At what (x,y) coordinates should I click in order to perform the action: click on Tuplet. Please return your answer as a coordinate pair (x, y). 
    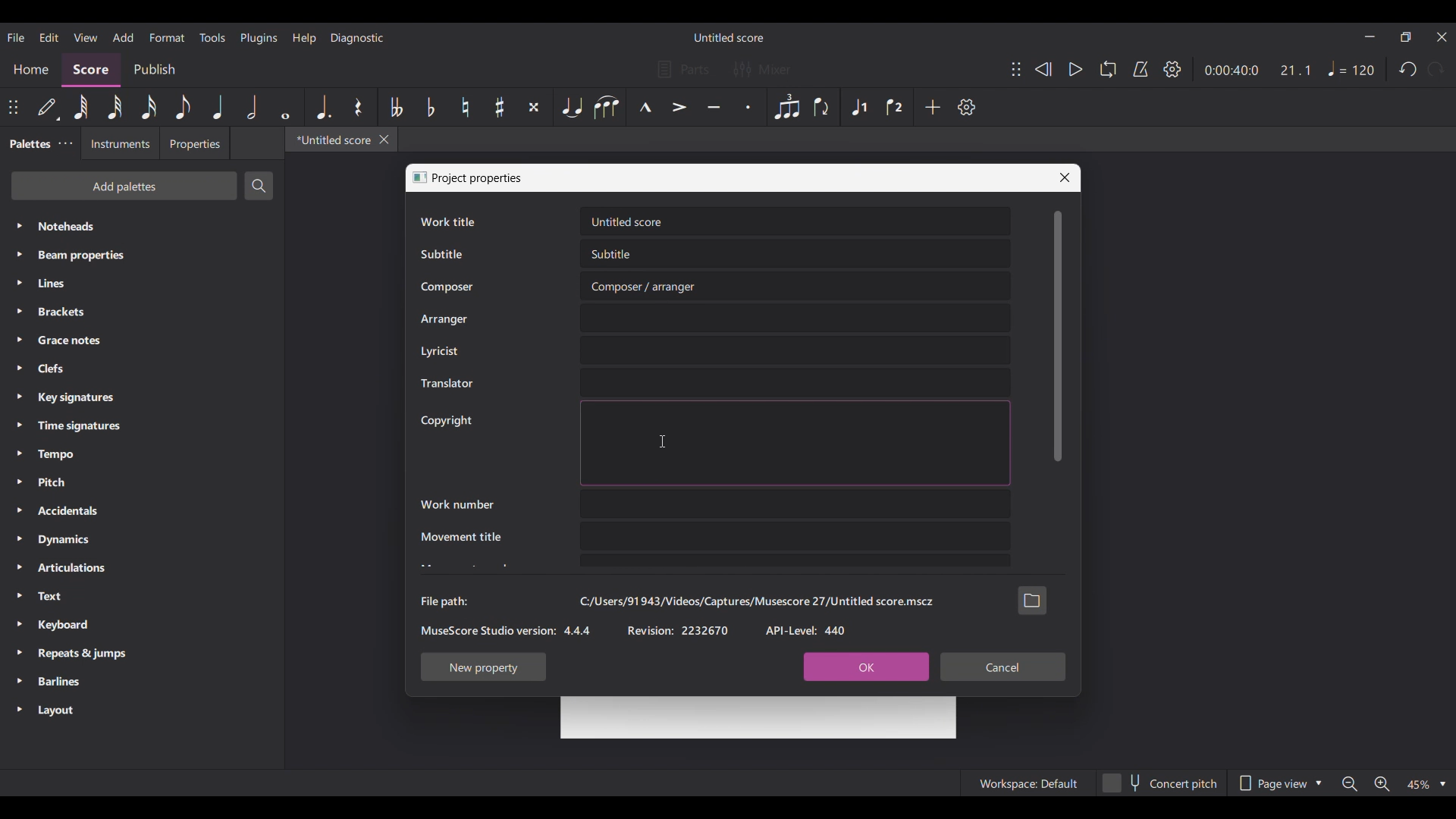
    Looking at the image, I should click on (786, 107).